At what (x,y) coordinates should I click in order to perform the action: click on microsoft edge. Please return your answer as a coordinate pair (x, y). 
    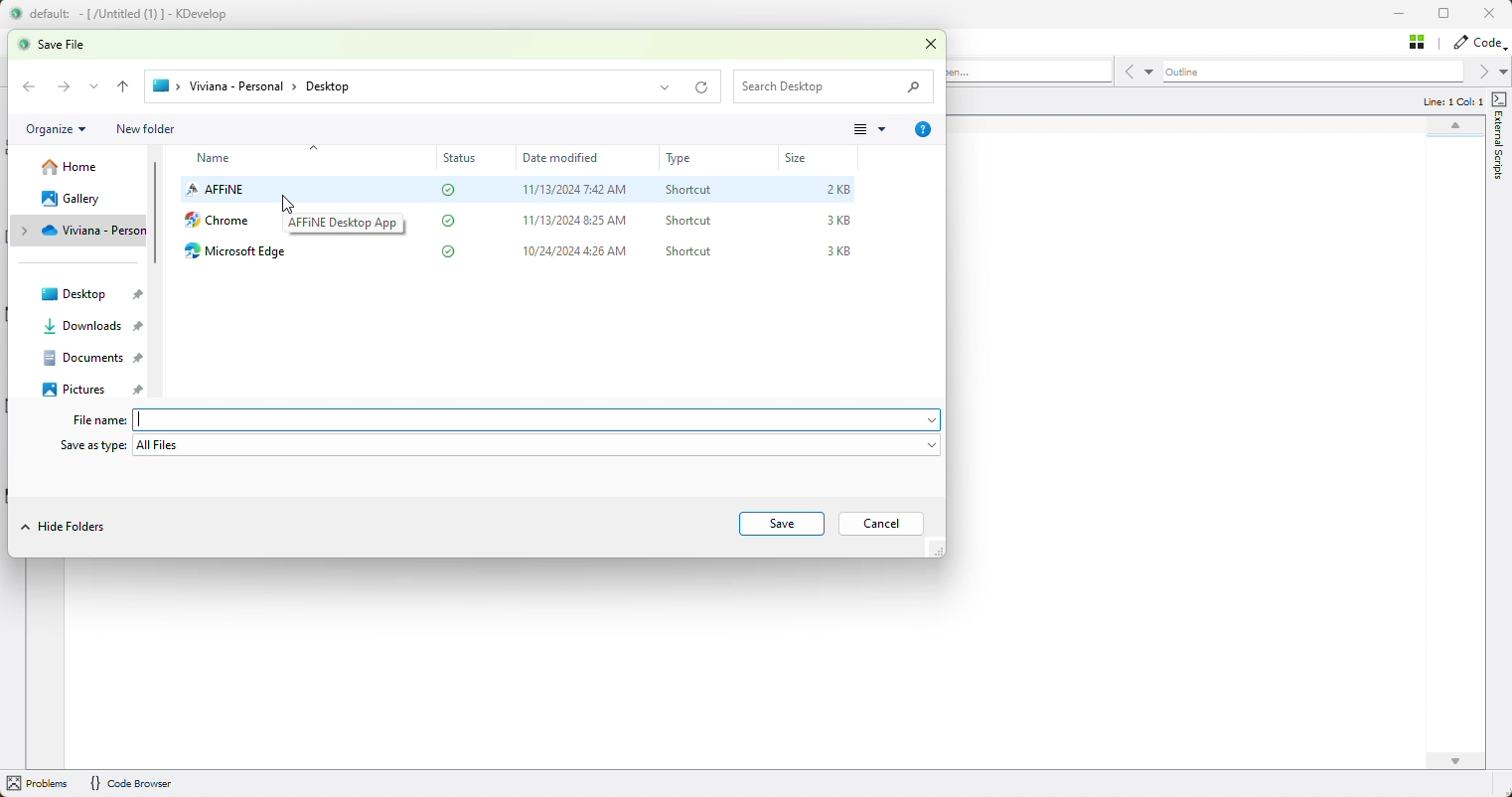
    Looking at the image, I should click on (244, 252).